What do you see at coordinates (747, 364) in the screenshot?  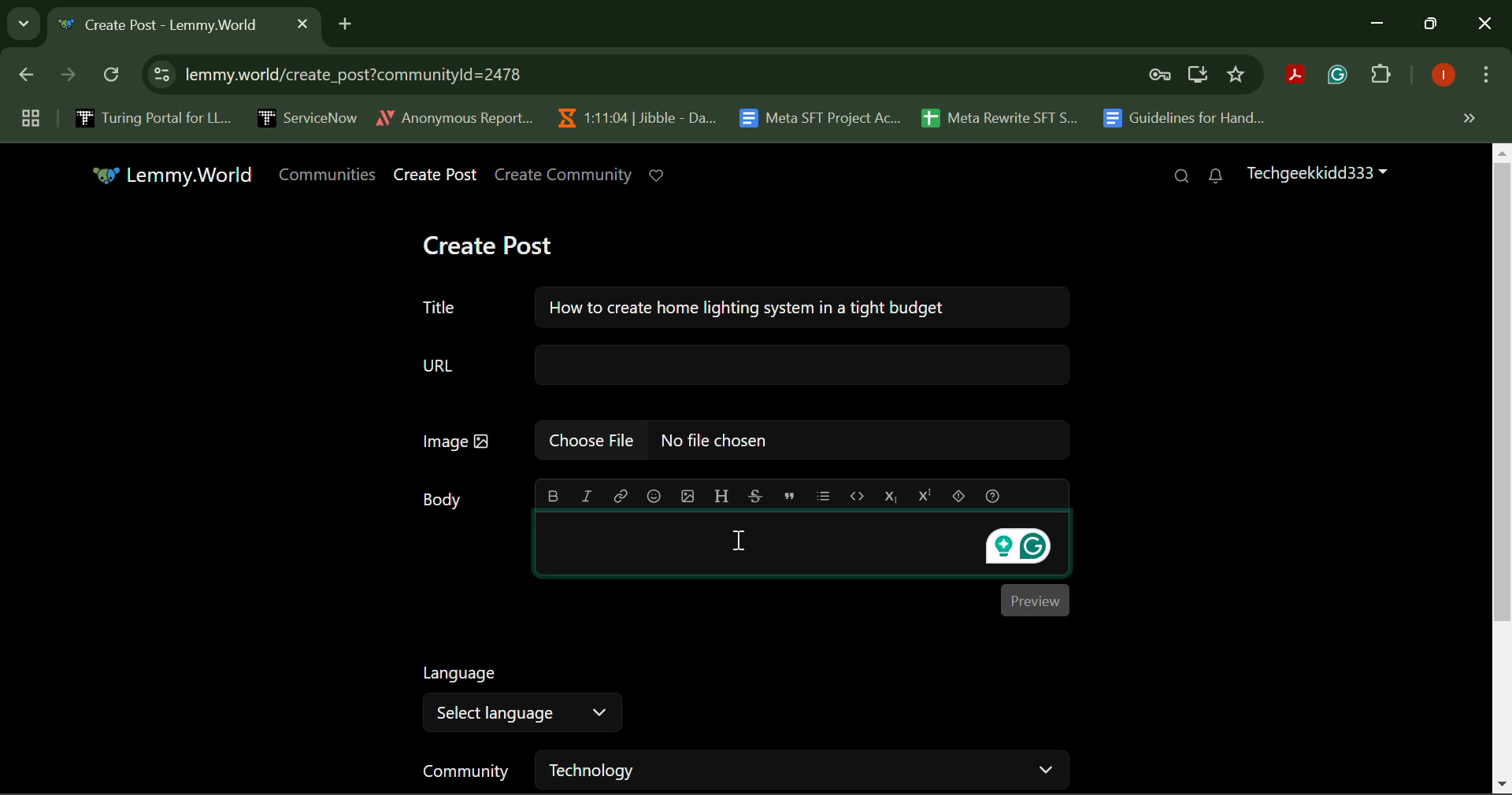 I see `URL Text Box` at bounding box center [747, 364].